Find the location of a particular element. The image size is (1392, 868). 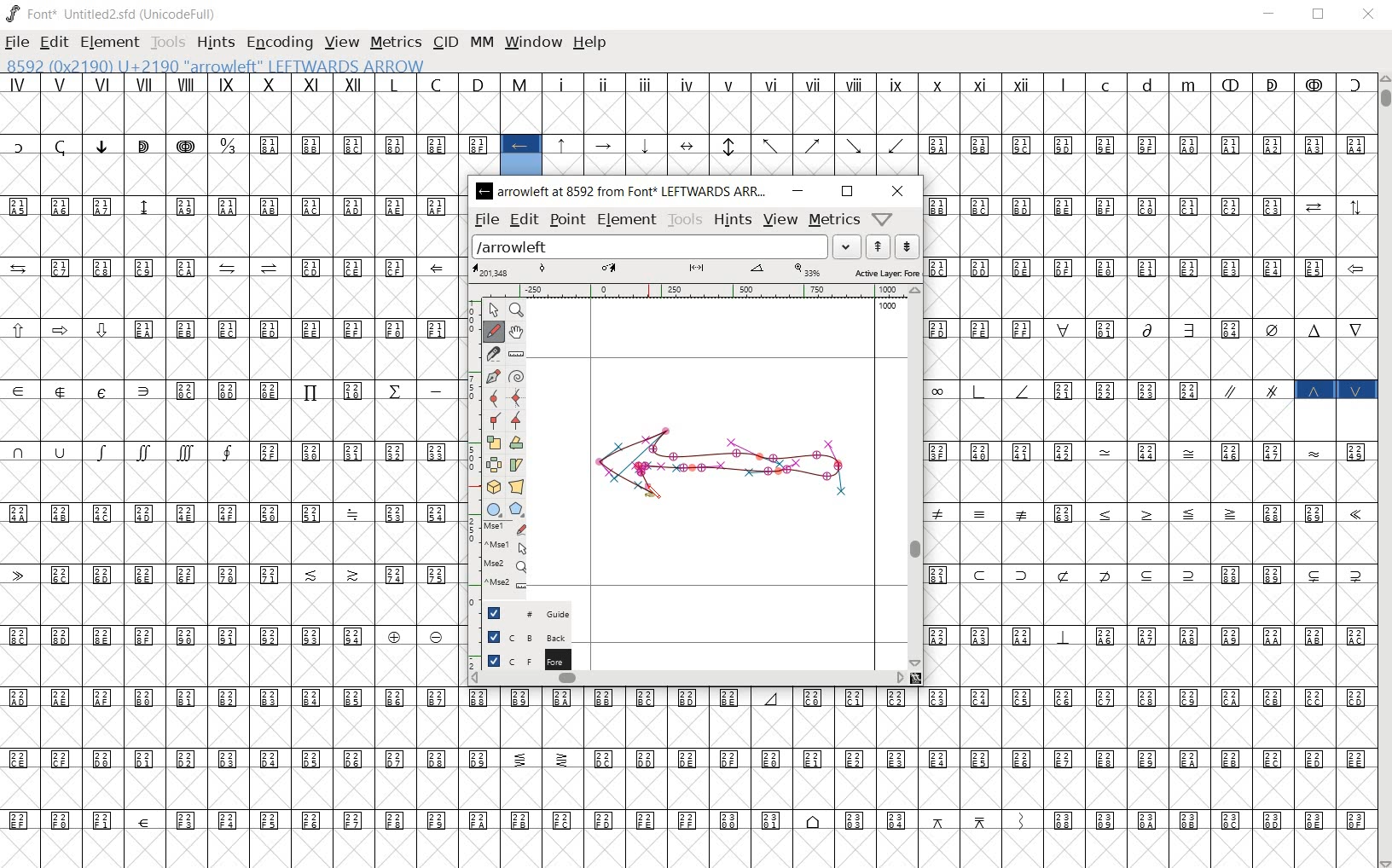

glyph name is located at coordinates (230, 65).